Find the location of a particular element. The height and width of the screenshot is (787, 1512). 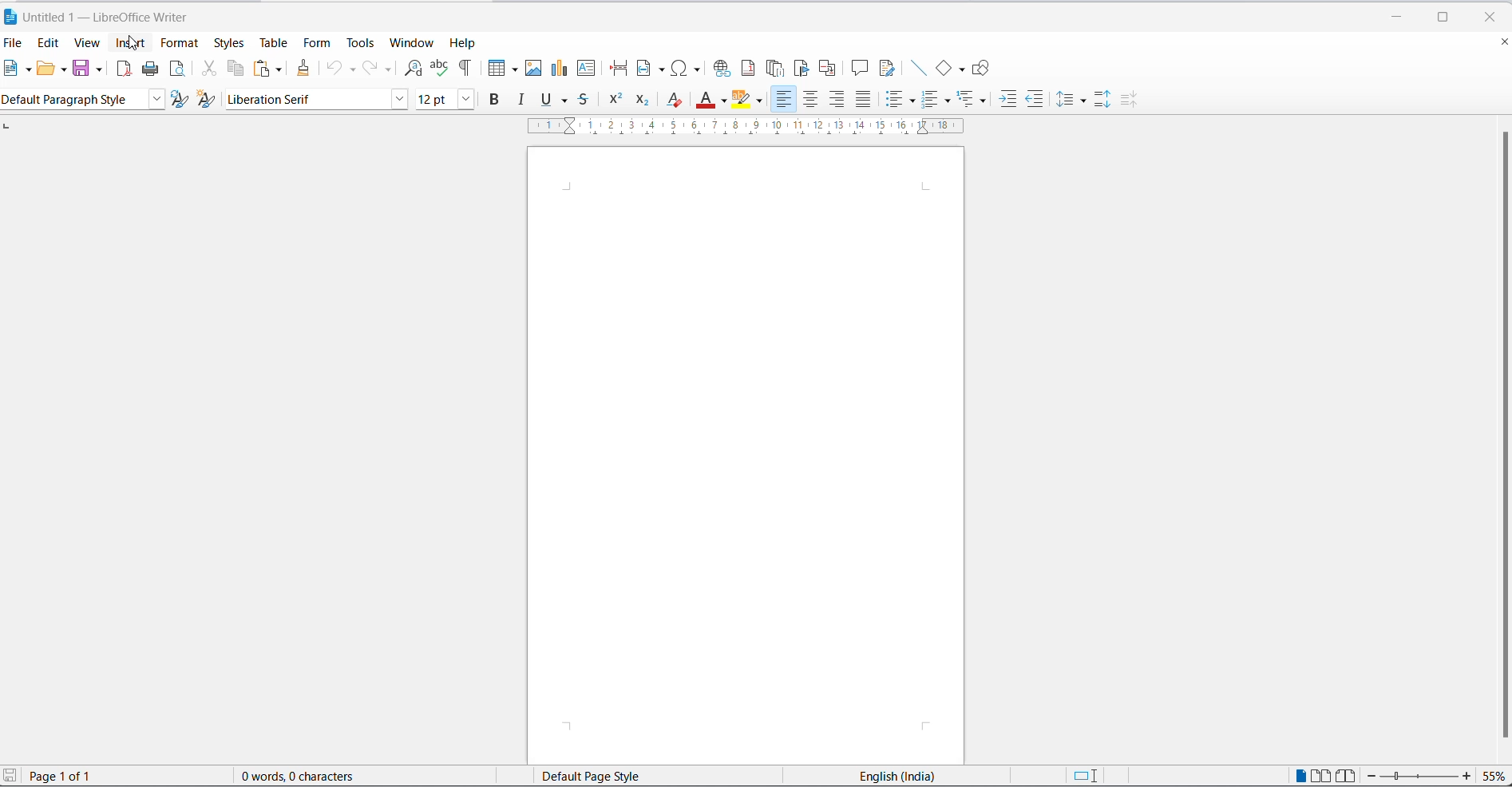

format is located at coordinates (177, 43).